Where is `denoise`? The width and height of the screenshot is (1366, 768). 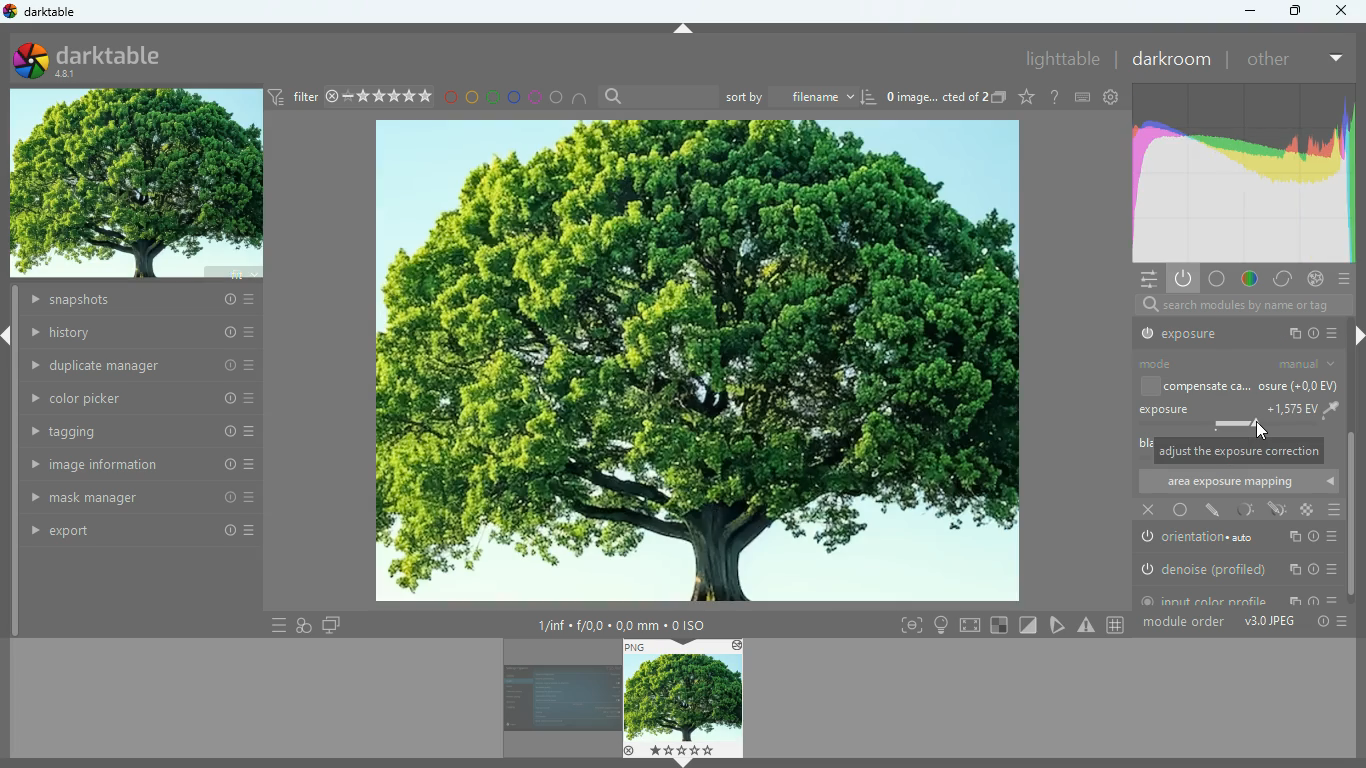 denoise is located at coordinates (1239, 568).